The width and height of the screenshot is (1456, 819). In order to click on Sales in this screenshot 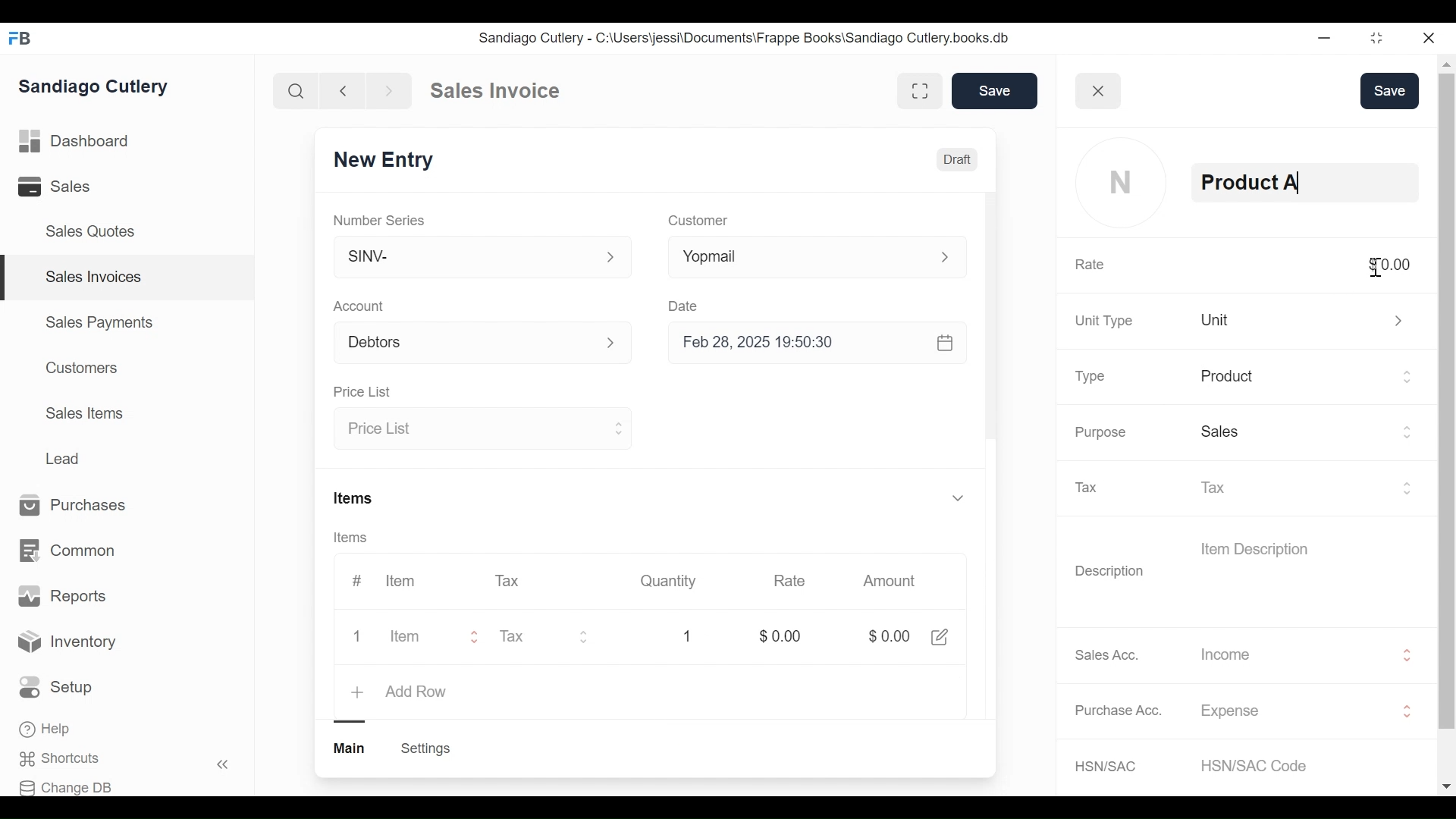, I will do `click(1307, 434)`.